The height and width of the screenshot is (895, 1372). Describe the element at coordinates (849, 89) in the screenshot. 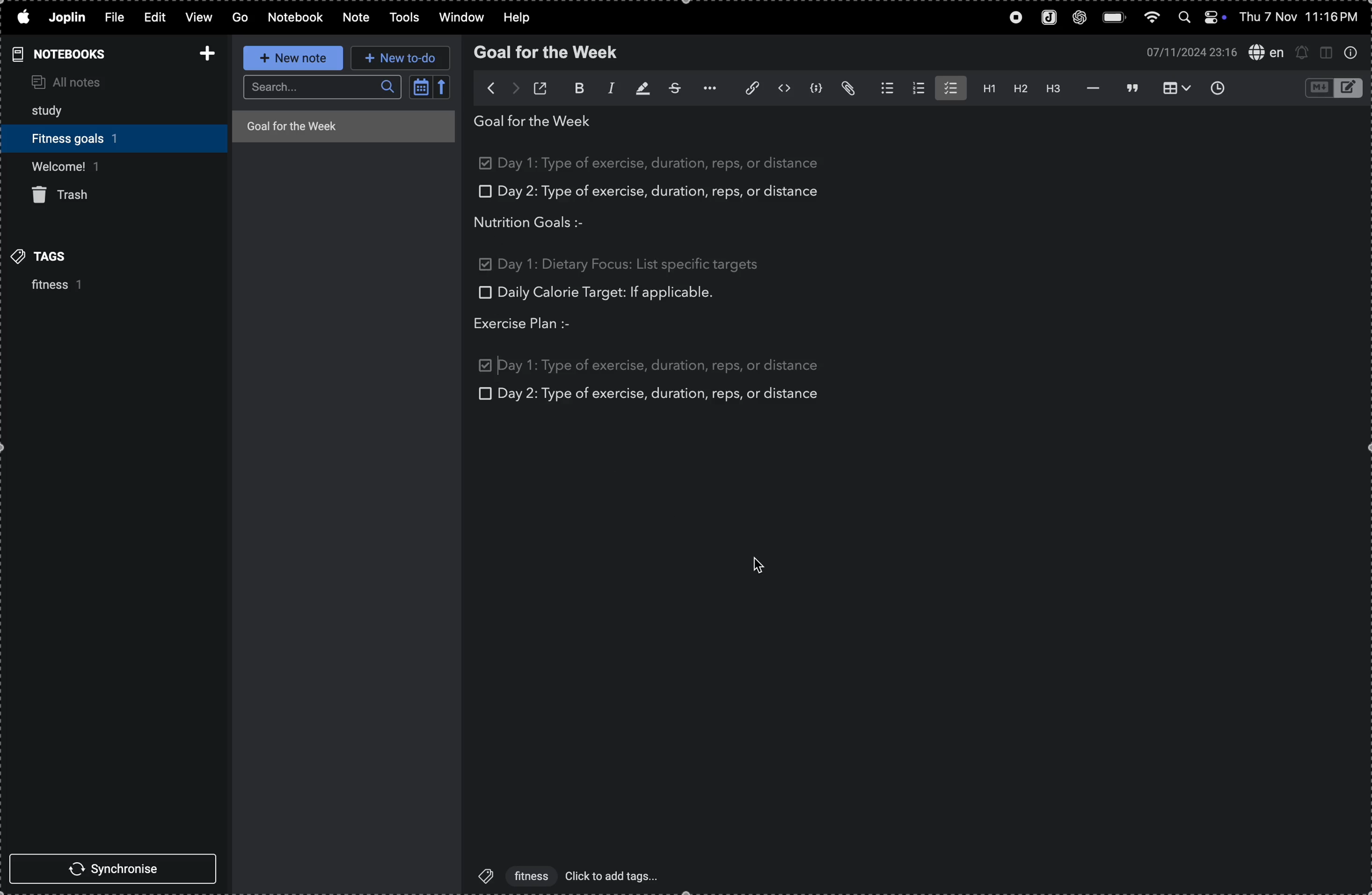

I see `attach file` at that location.